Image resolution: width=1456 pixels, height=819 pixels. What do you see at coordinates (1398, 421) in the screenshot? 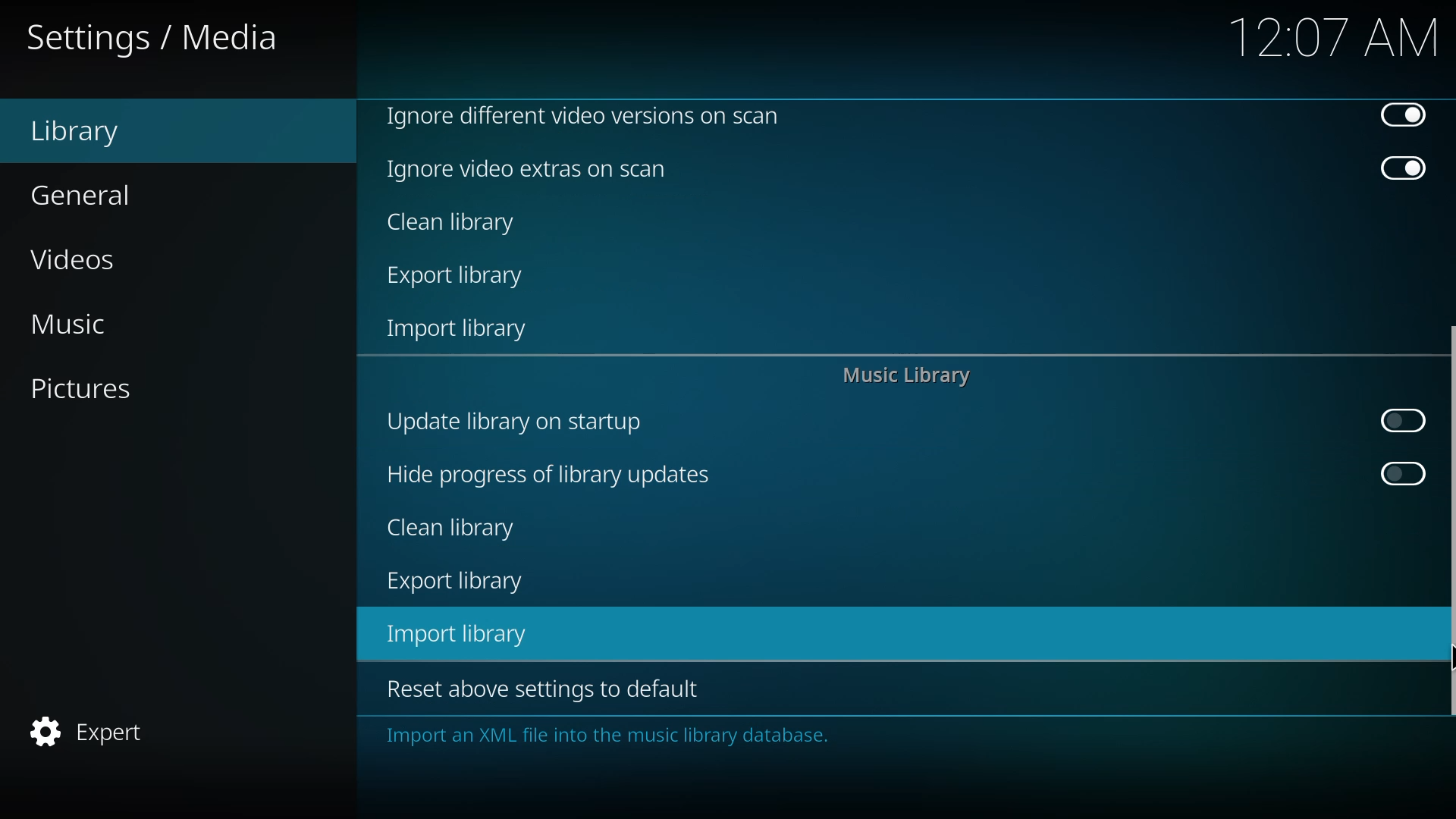
I see `click to enable` at bounding box center [1398, 421].